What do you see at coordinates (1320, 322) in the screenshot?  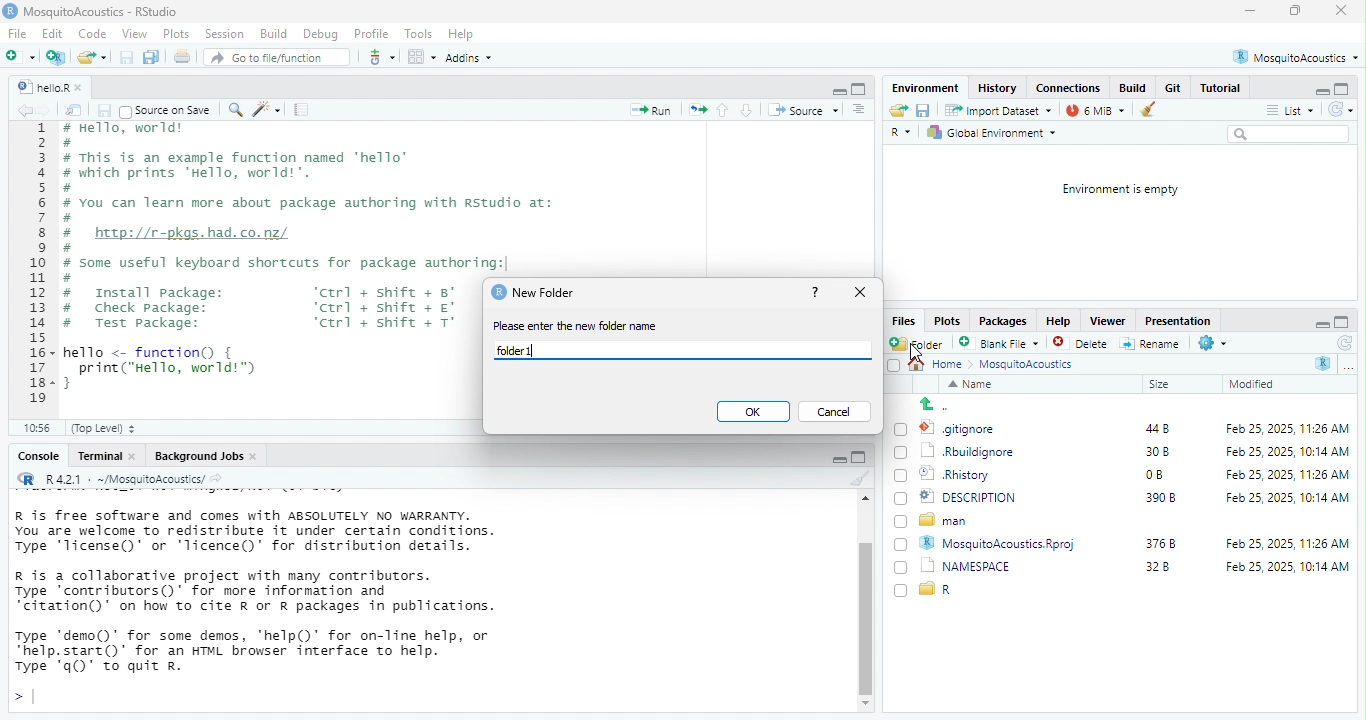 I see `hide r script` at bounding box center [1320, 322].